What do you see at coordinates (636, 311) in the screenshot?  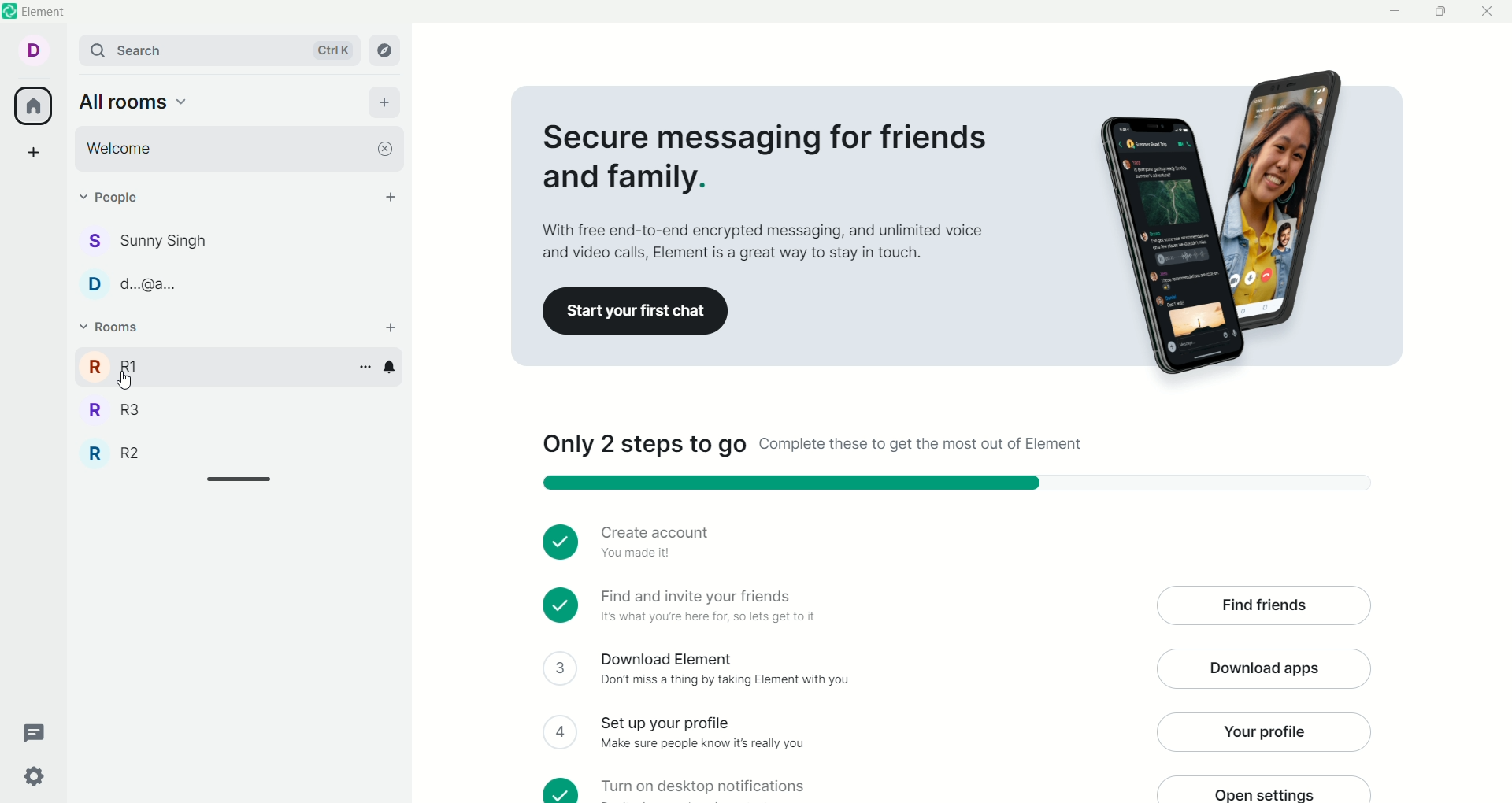 I see `Click to start first chat` at bounding box center [636, 311].